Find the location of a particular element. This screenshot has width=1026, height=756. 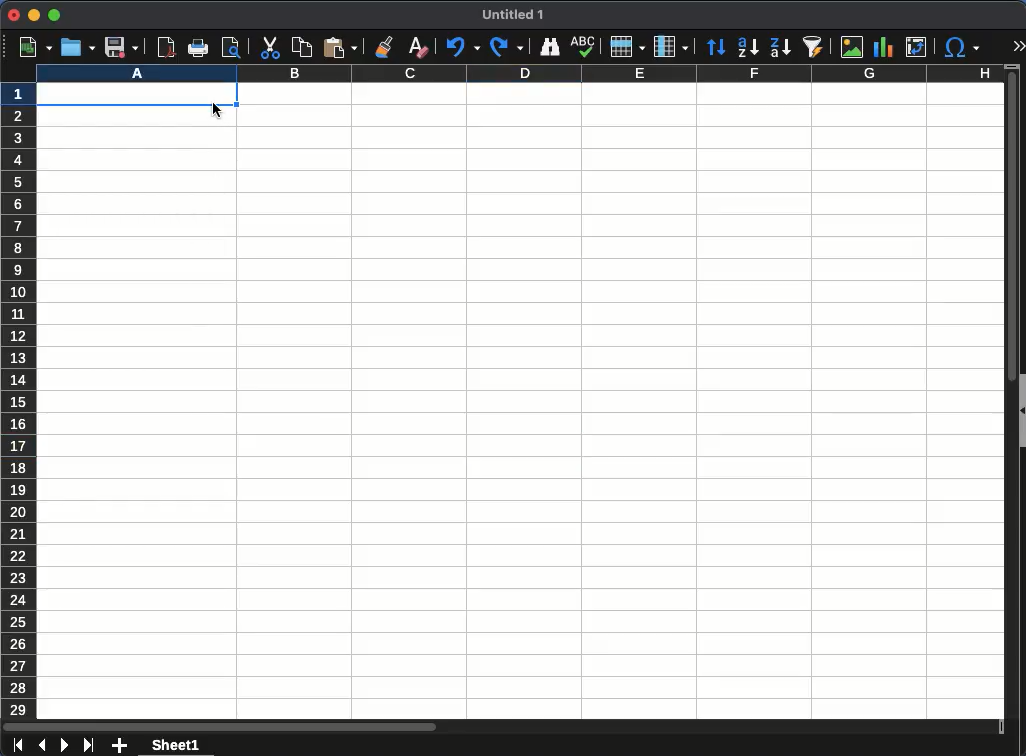

Untitled 1 is located at coordinates (516, 15).